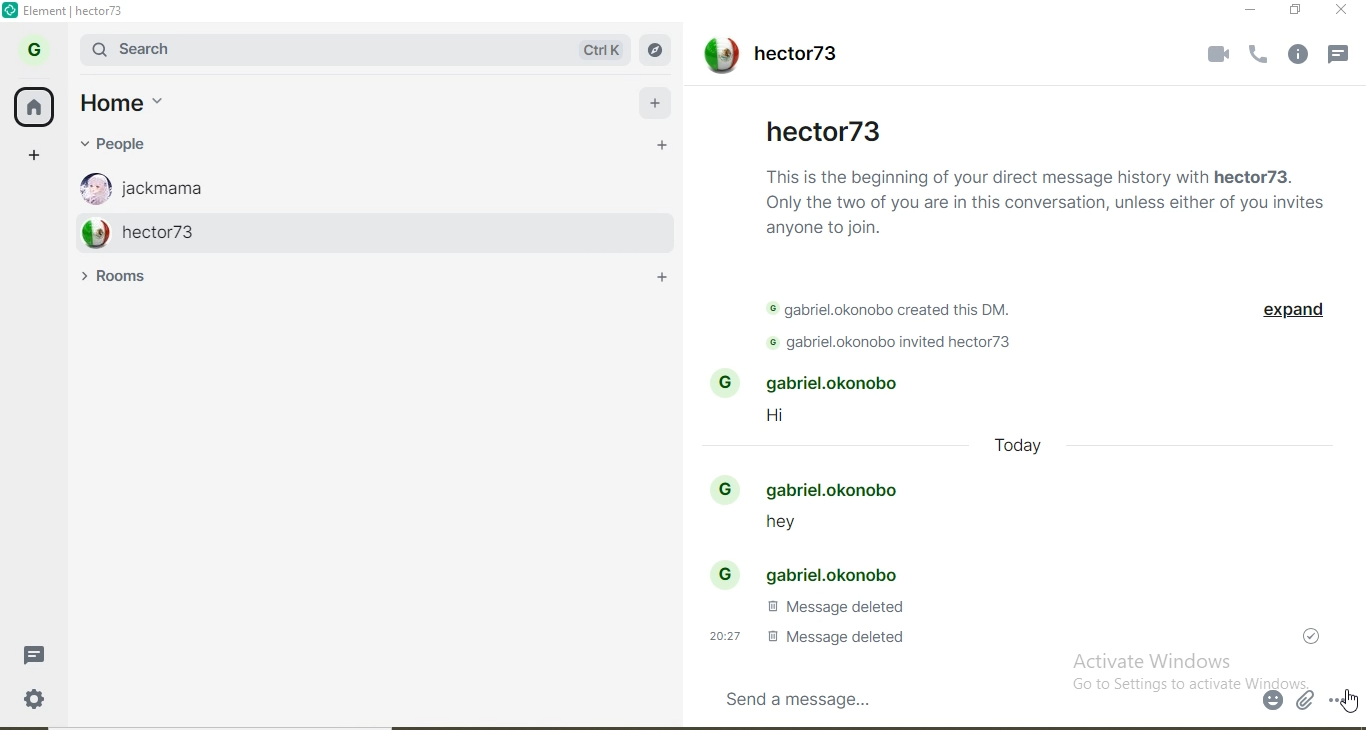 Image resolution: width=1366 pixels, height=730 pixels. What do you see at coordinates (1213, 53) in the screenshot?
I see `video call` at bounding box center [1213, 53].